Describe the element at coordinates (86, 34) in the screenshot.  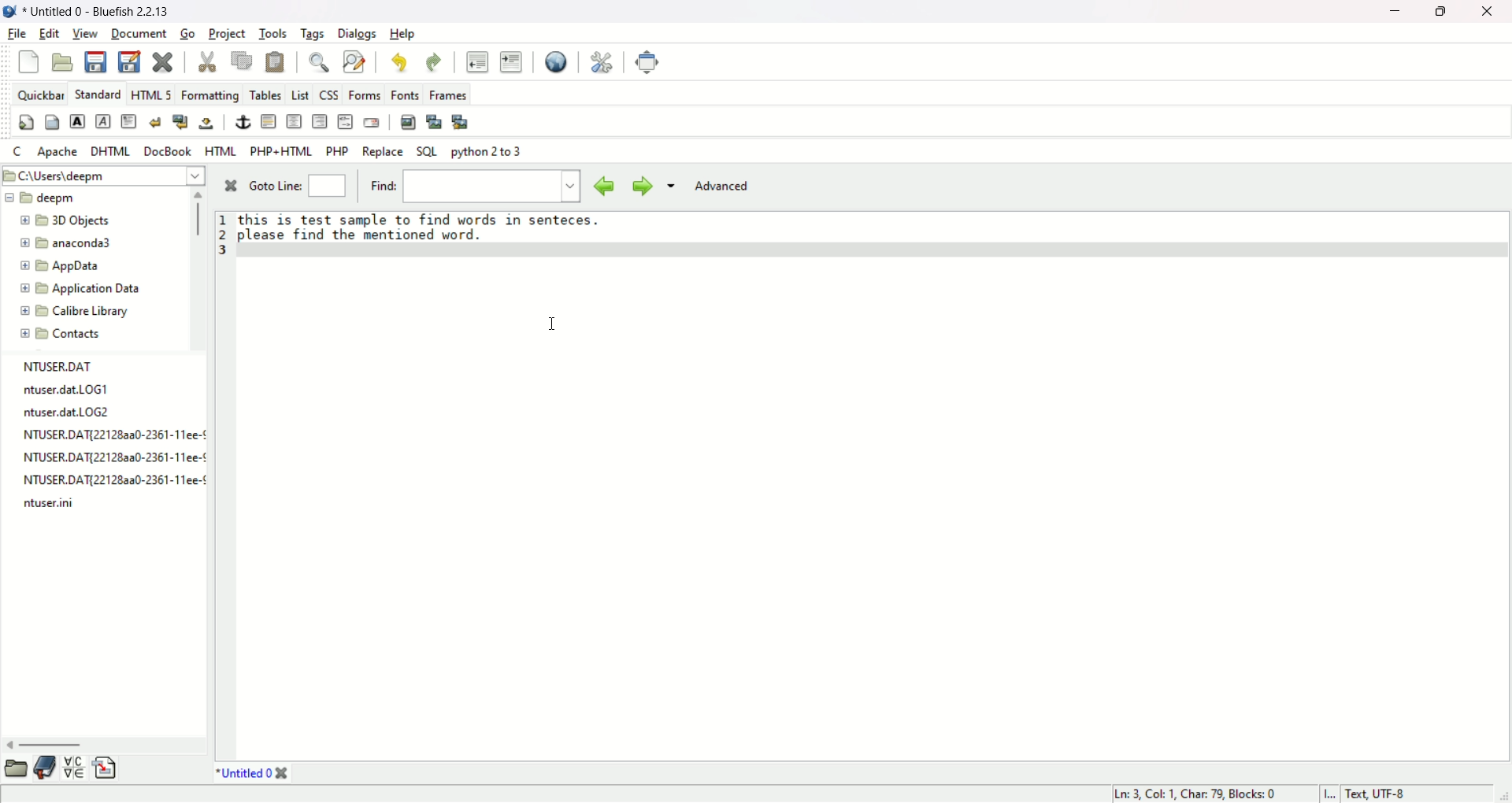
I see `view` at that location.